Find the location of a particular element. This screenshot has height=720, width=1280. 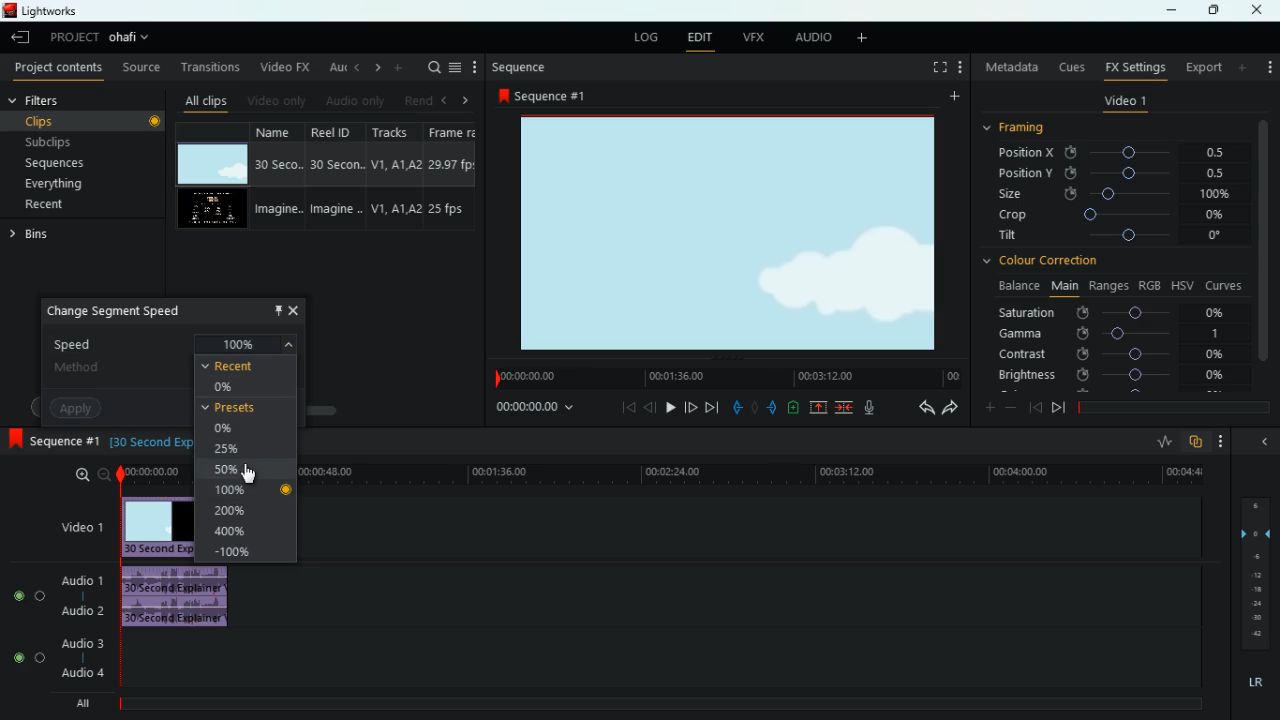

overlap is located at coordinates (1196, 443).